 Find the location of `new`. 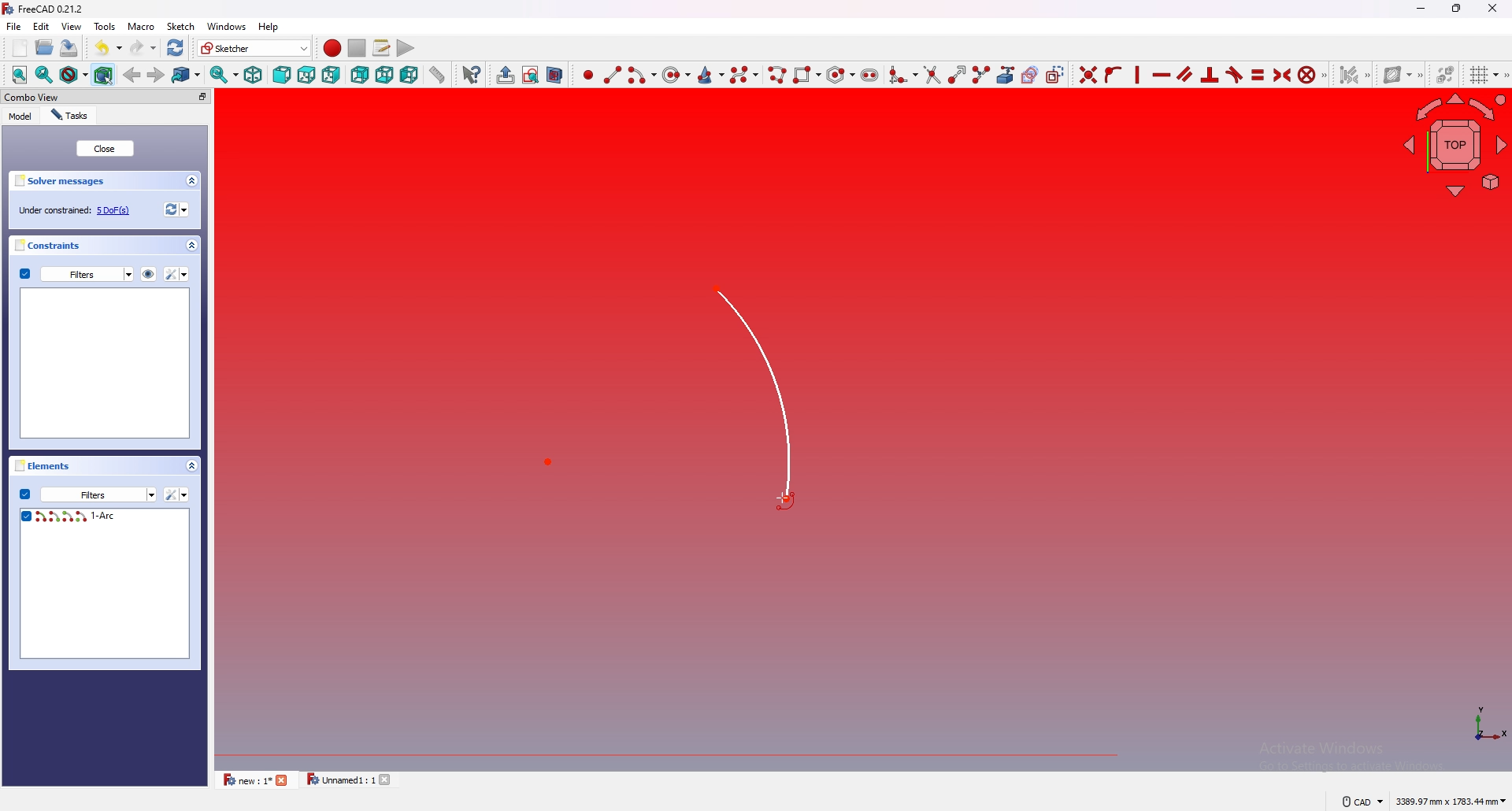

new is located at coordinates (18, 48).